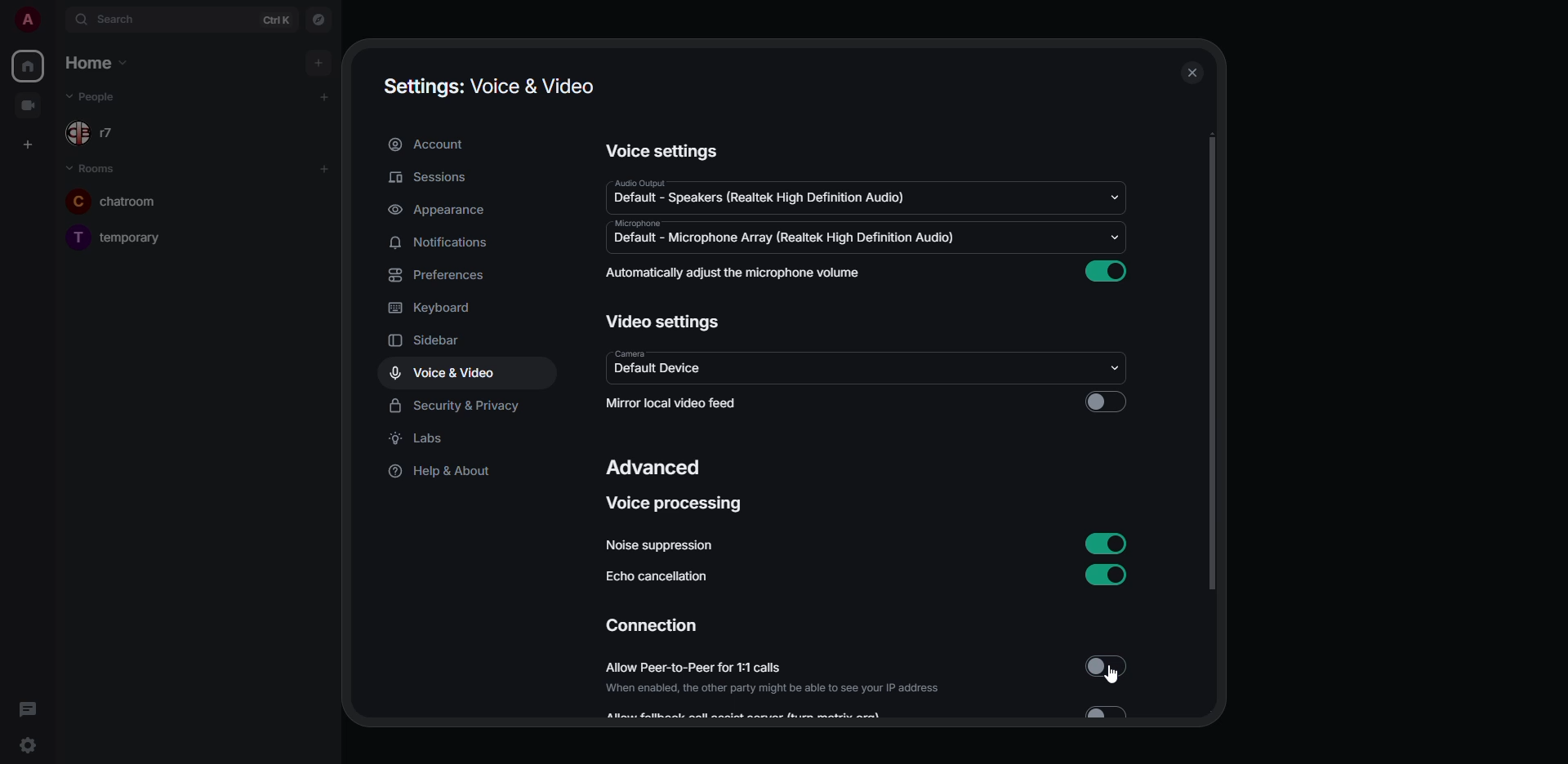 This screenshot has width=1568, height=764. Describe the element at coordinates (441, 371) in the screenshot. I see `voice & video` at that location.